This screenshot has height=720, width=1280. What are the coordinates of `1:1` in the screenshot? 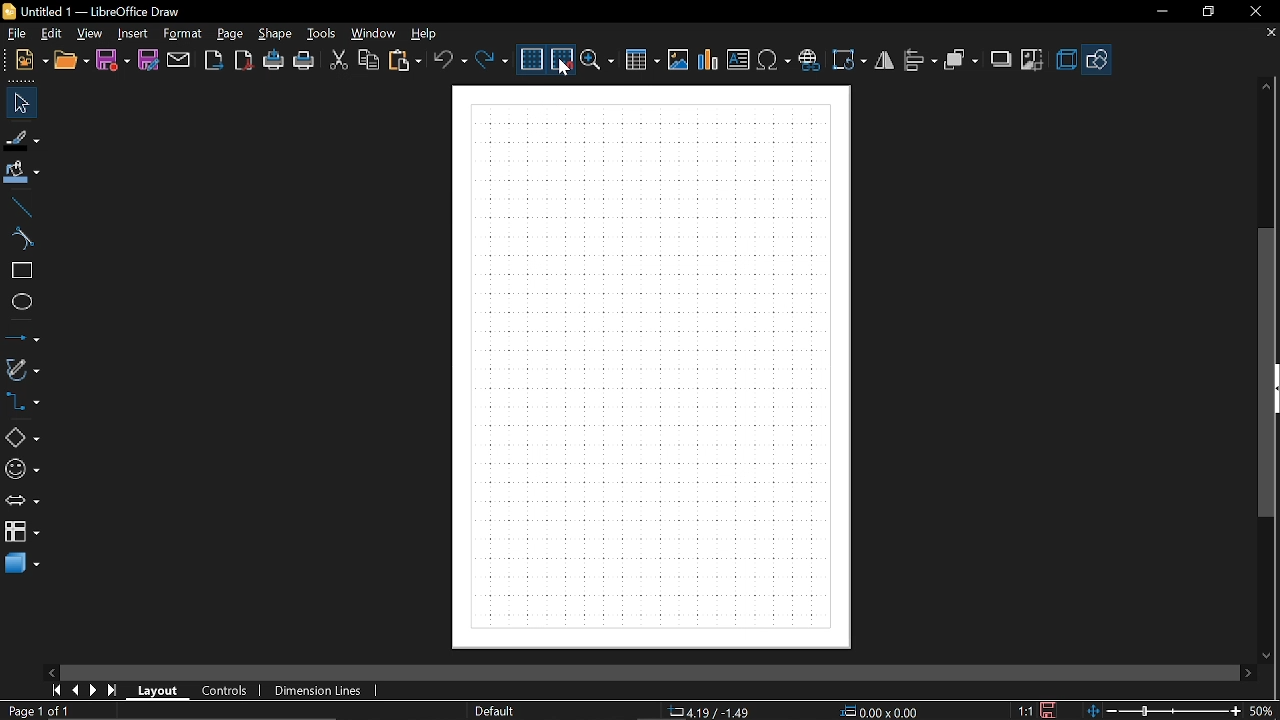 It's located at (1026, 710).